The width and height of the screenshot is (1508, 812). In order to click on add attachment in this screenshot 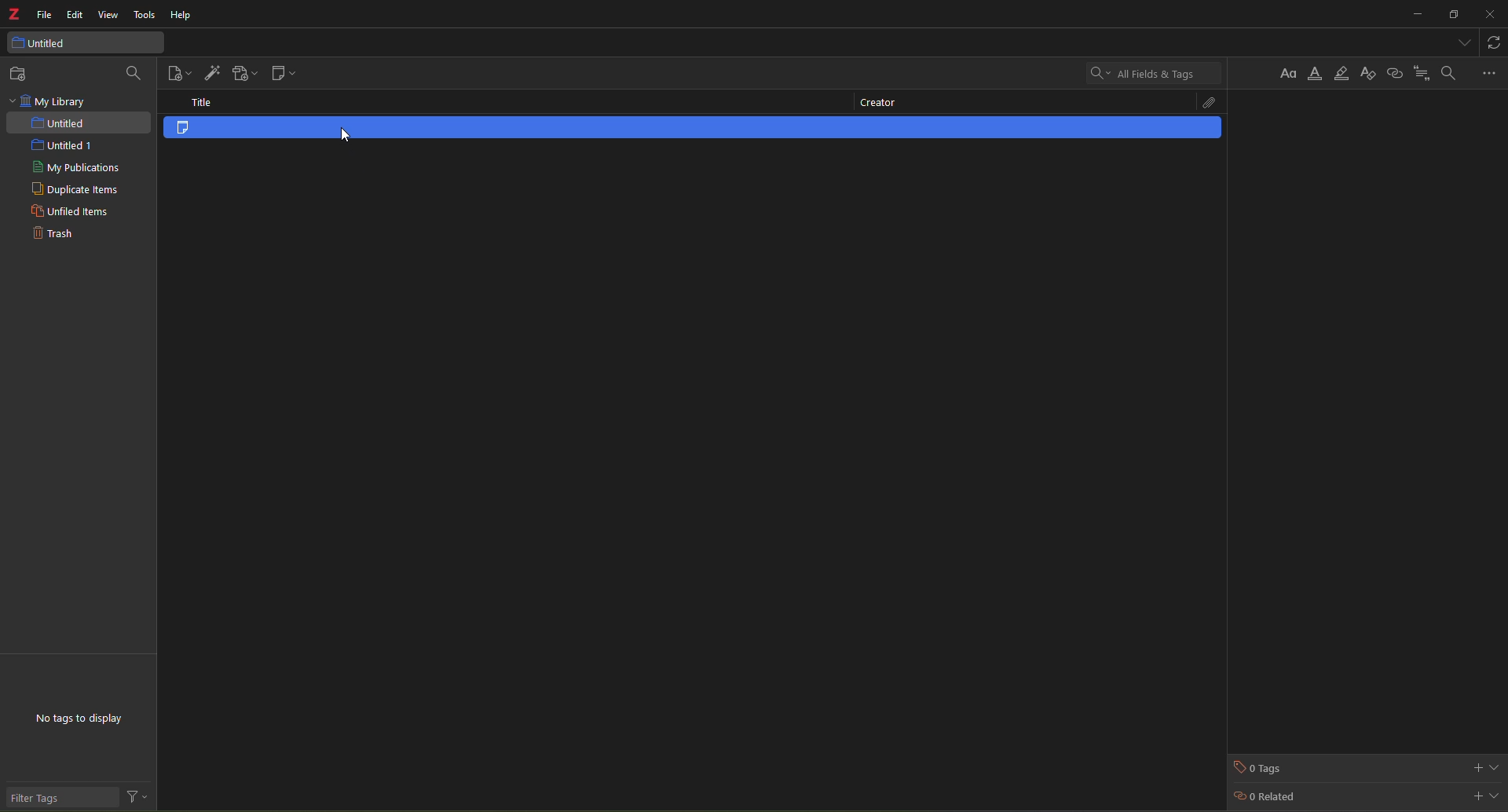, I will do `click(244, 73)`.